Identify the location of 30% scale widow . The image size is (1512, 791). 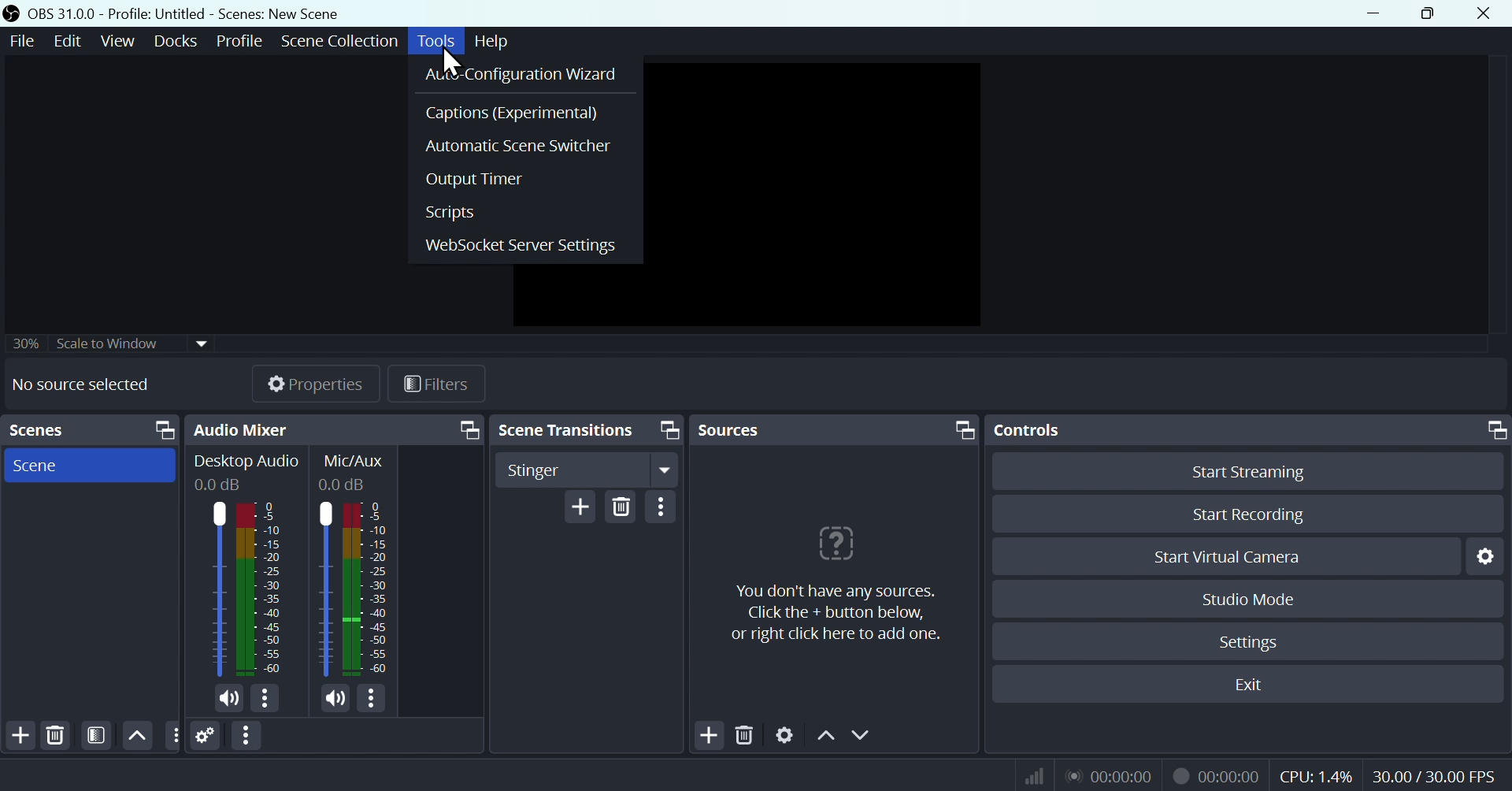
(132, 342).